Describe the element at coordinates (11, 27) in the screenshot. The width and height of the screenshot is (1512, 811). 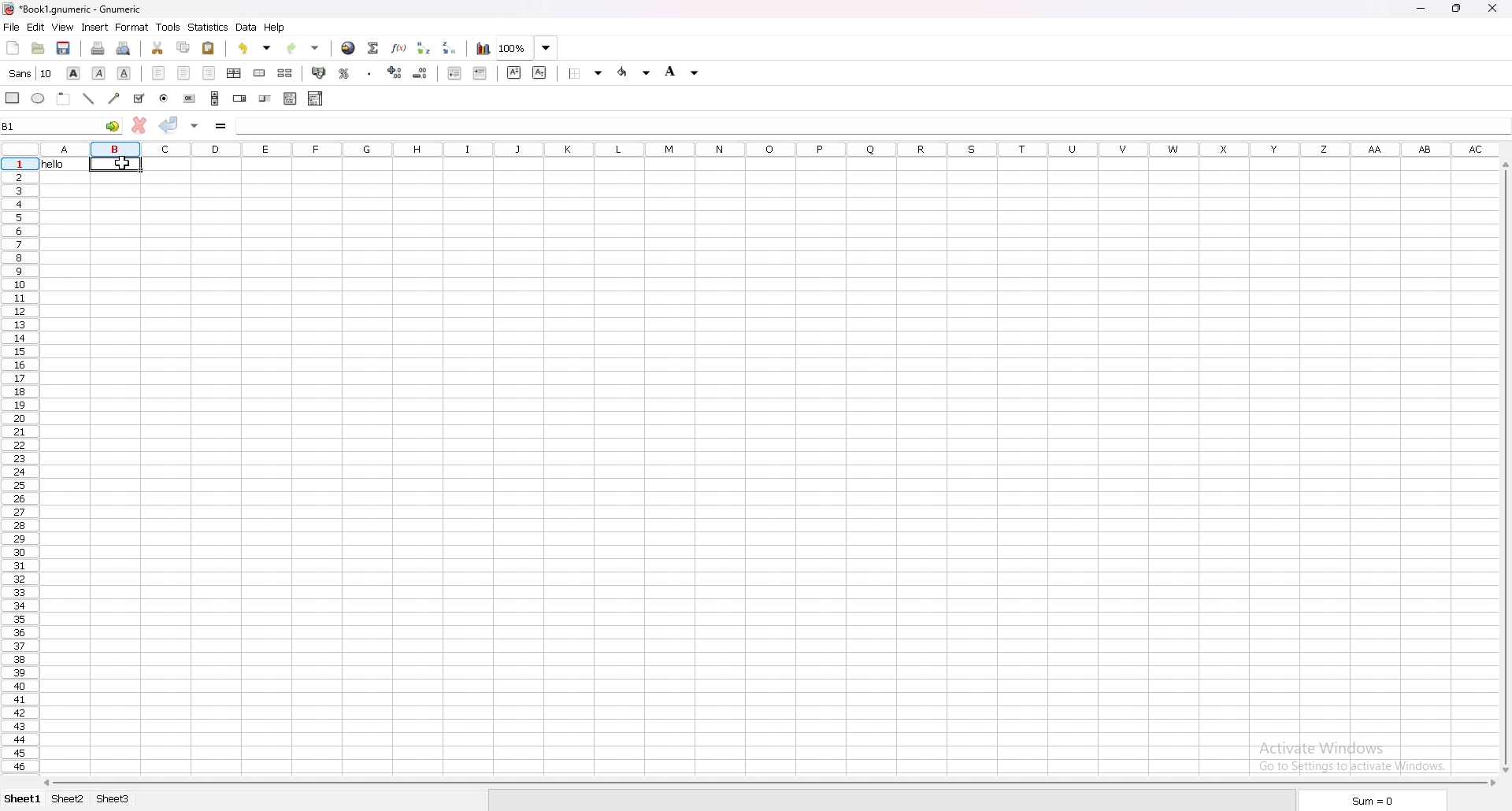
I see `file` at that location.